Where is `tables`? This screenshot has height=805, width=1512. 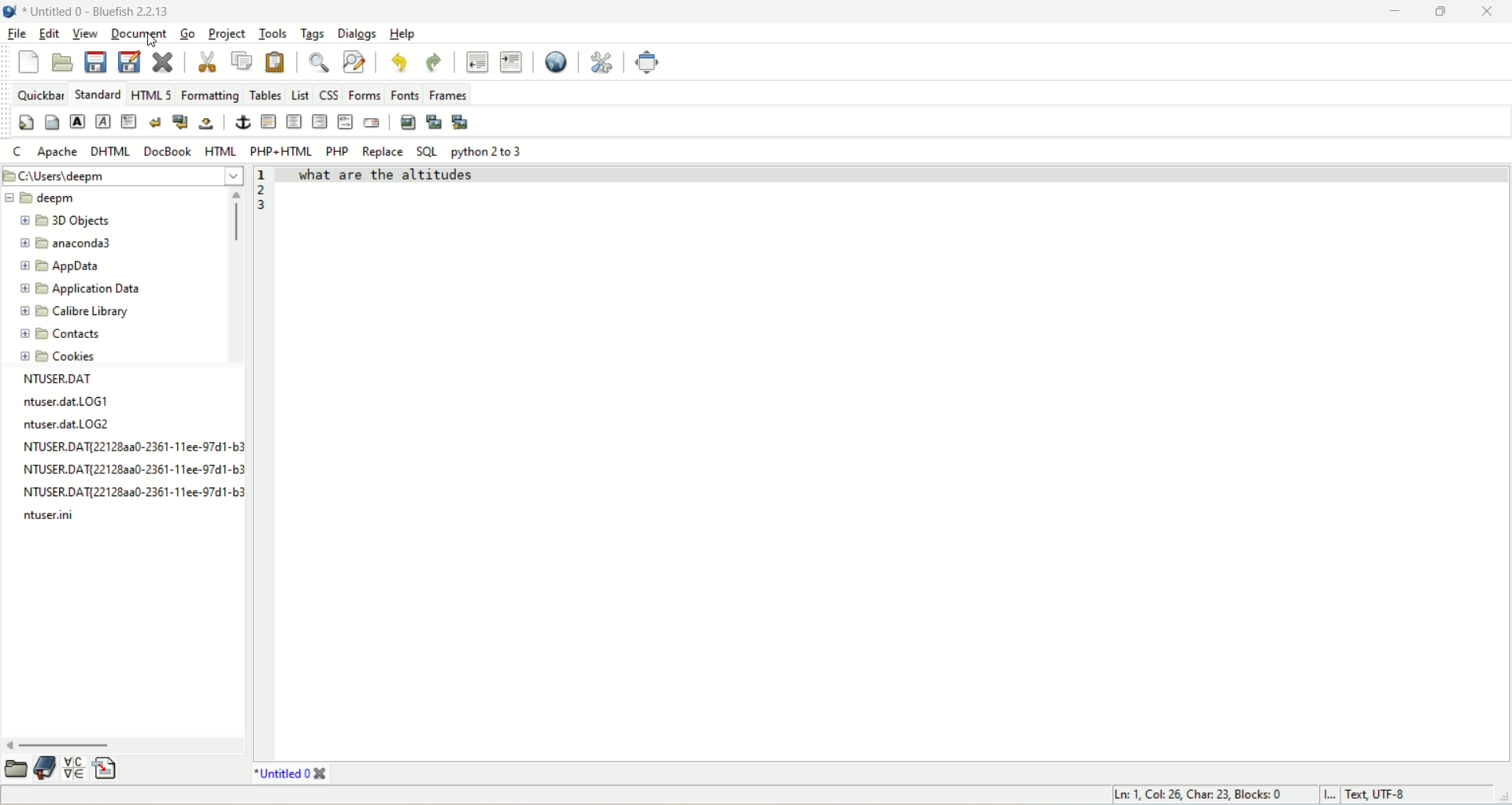 tables is located at coordinates (266, 95).